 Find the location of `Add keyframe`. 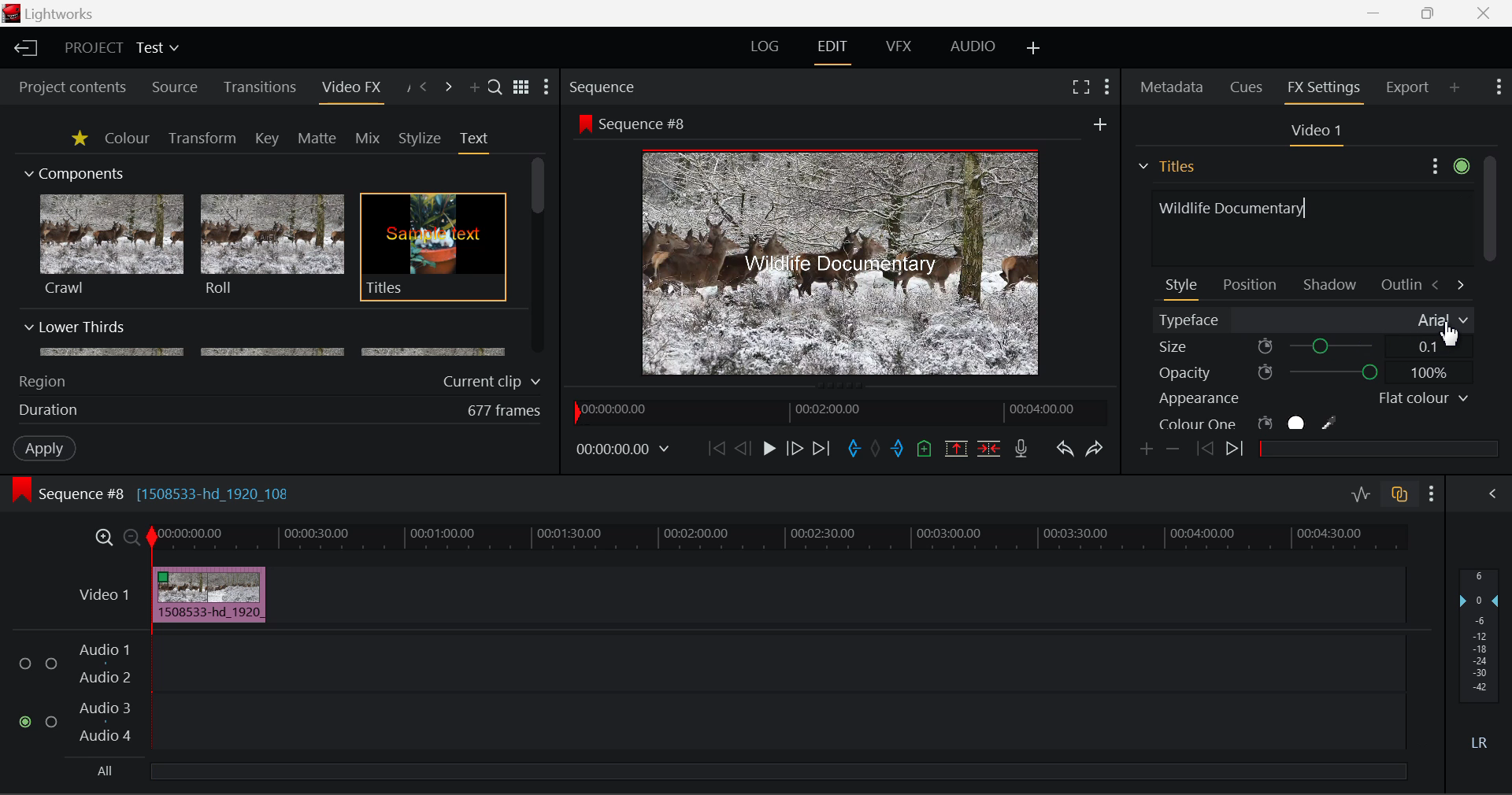

Add keyframe is located at coordinates (1148, 450).